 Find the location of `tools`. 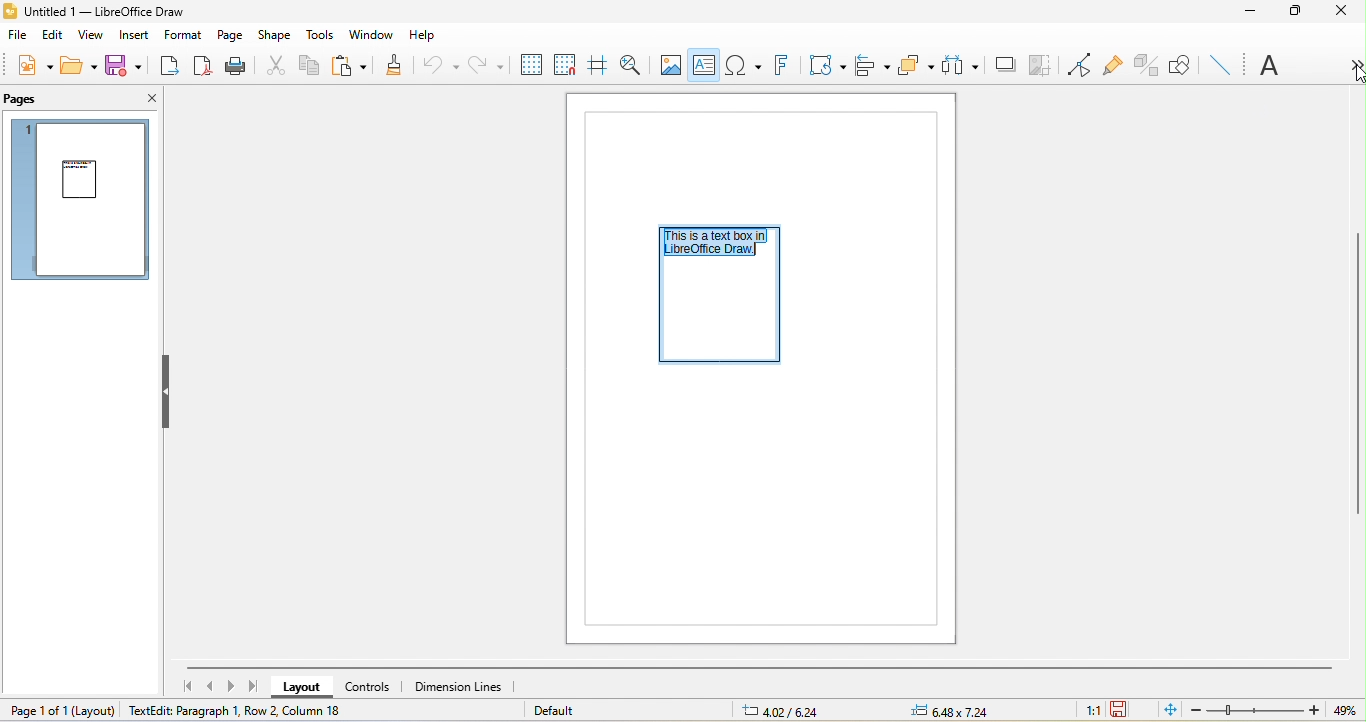

tools is located at coordinates (320, 36).